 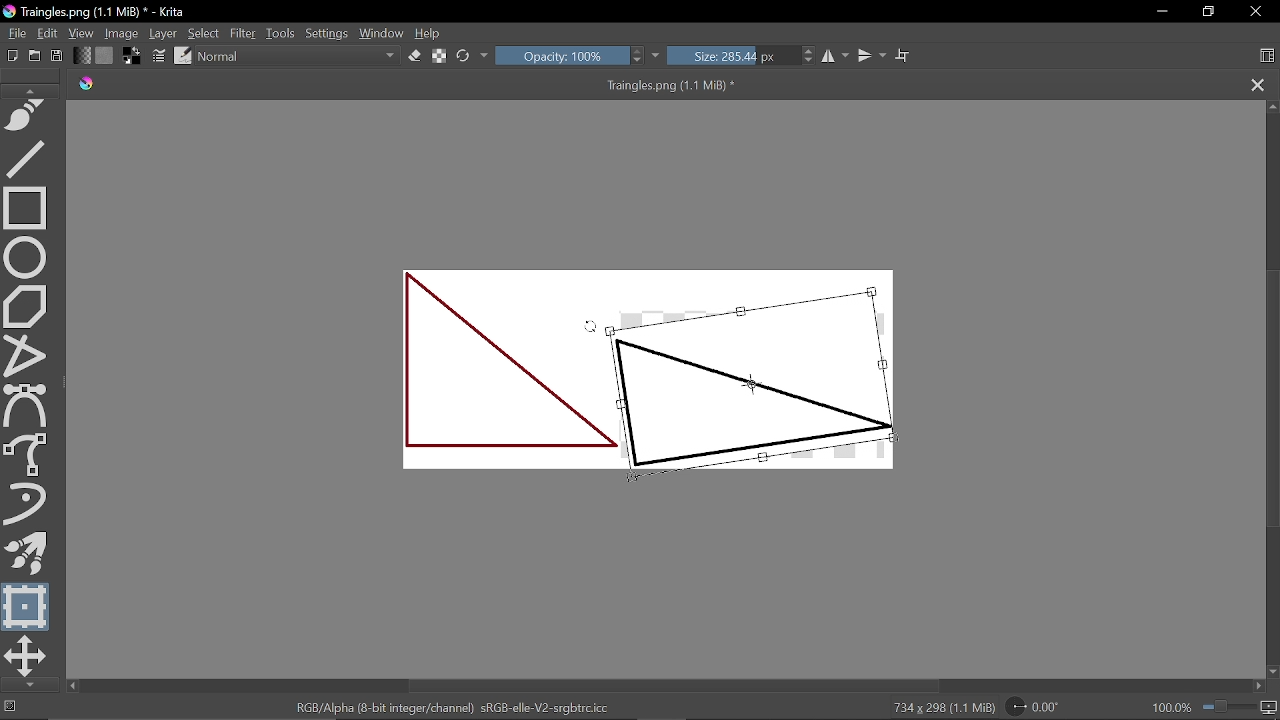 What do you see at coordinates (29, 353) in the screenshot?
I see `Polyline tool` at bounding box center [29, 353].